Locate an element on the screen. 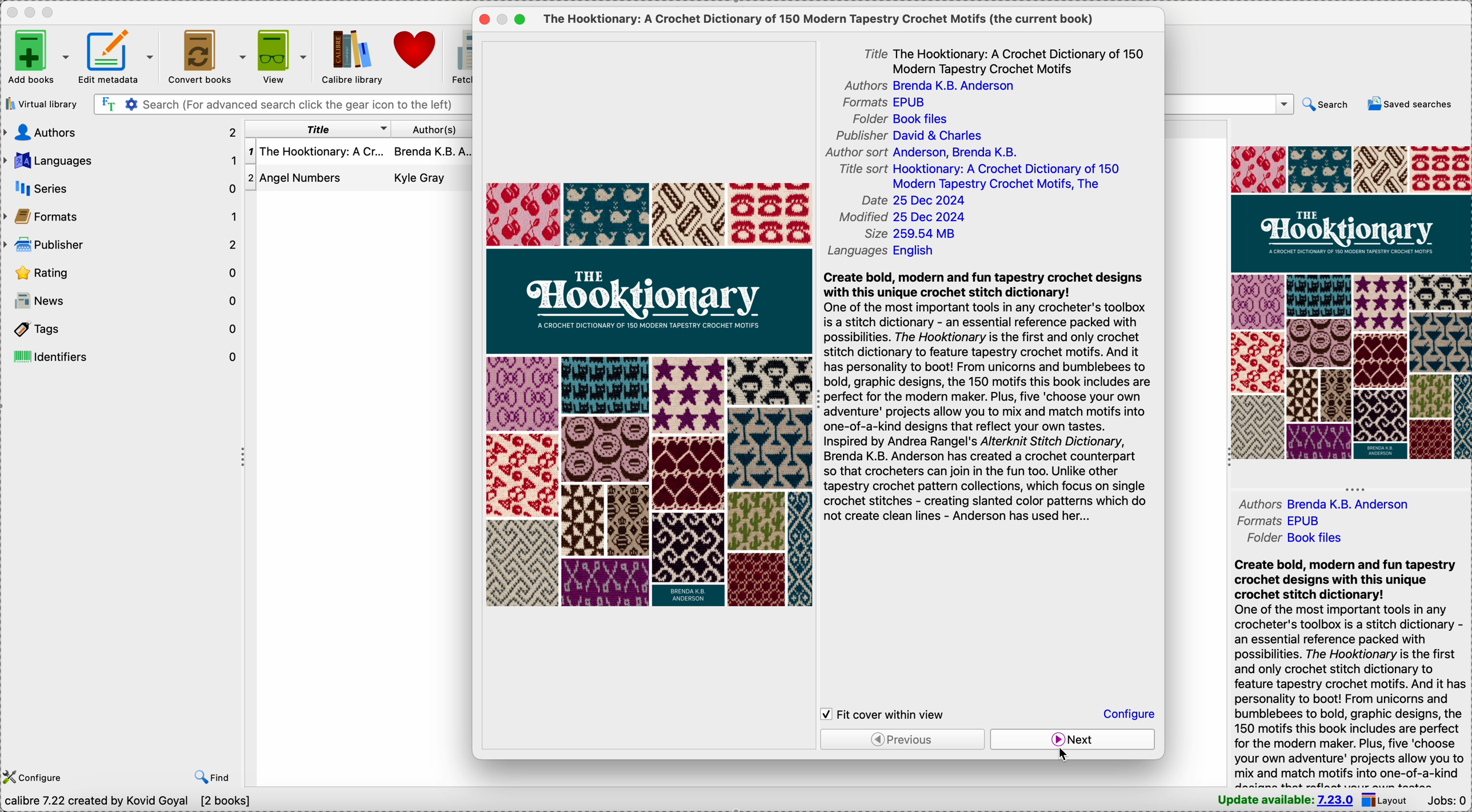 The width and height of the screenshot is (1472, 812). date is located at coordinates (915, 201).